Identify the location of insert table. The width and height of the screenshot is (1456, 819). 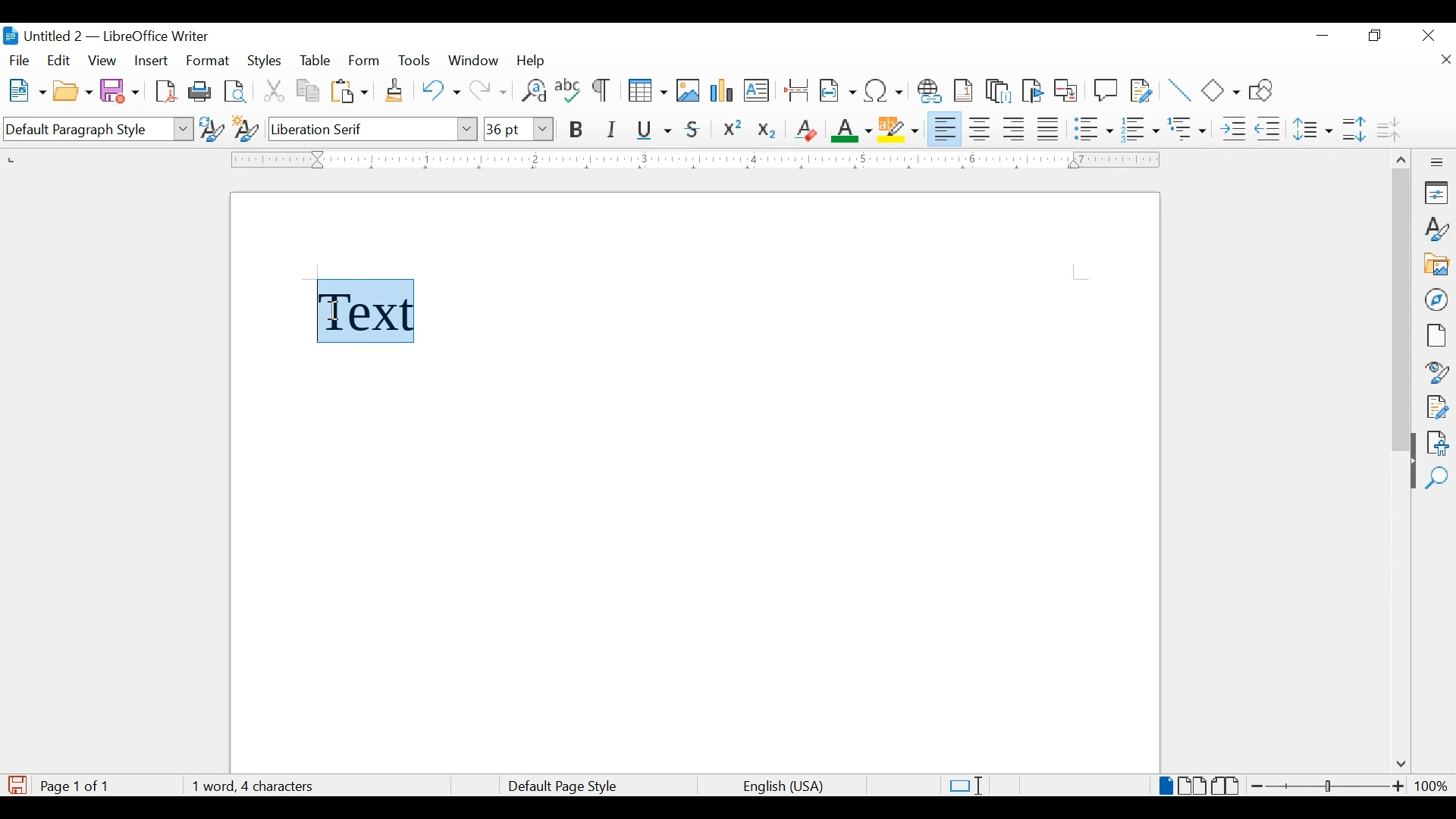
(648, 90).